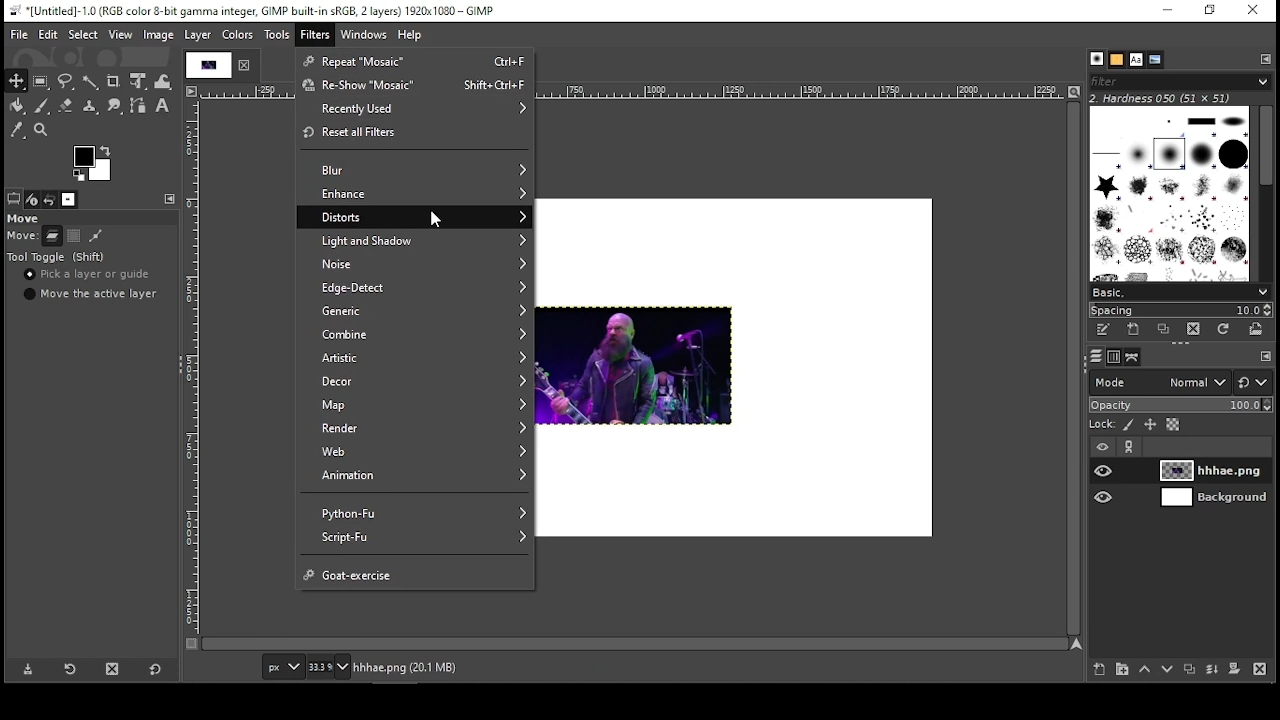  Describe the element at coordinates (415, 312) in the screenshot. I see `generic` at that location.